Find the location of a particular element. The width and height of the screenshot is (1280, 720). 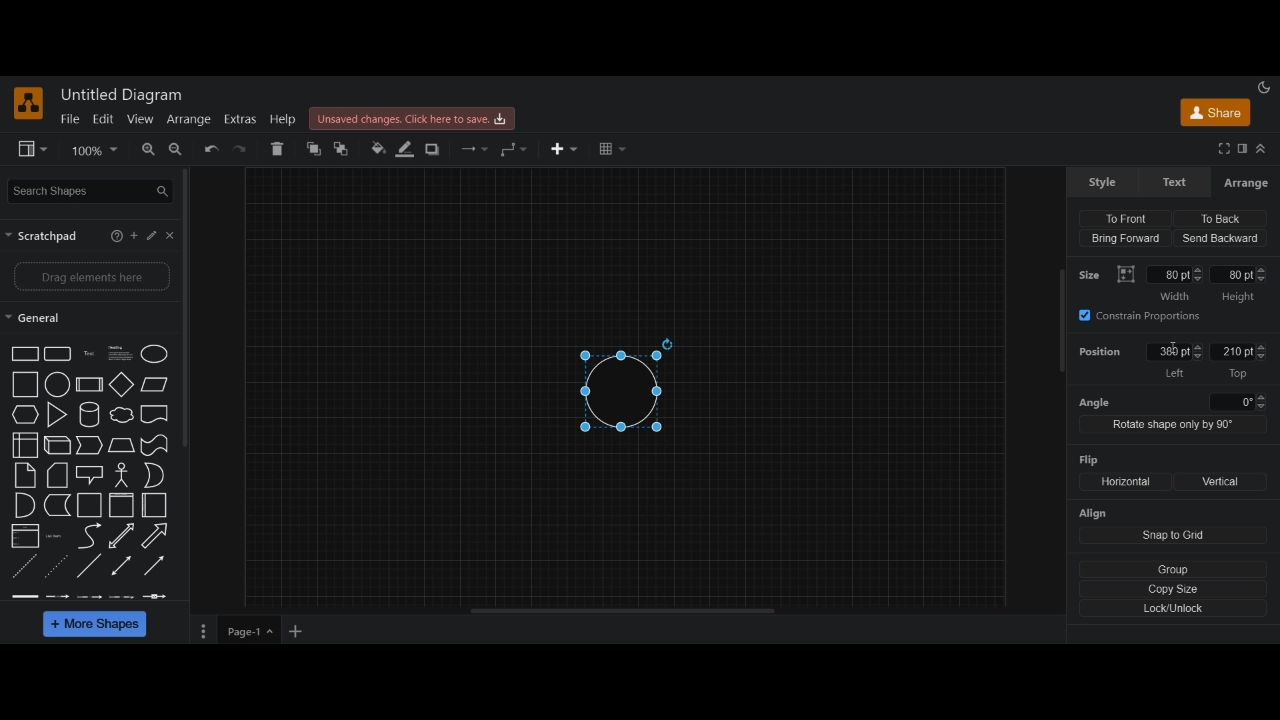

Circle is located at coordinates (58, 384).